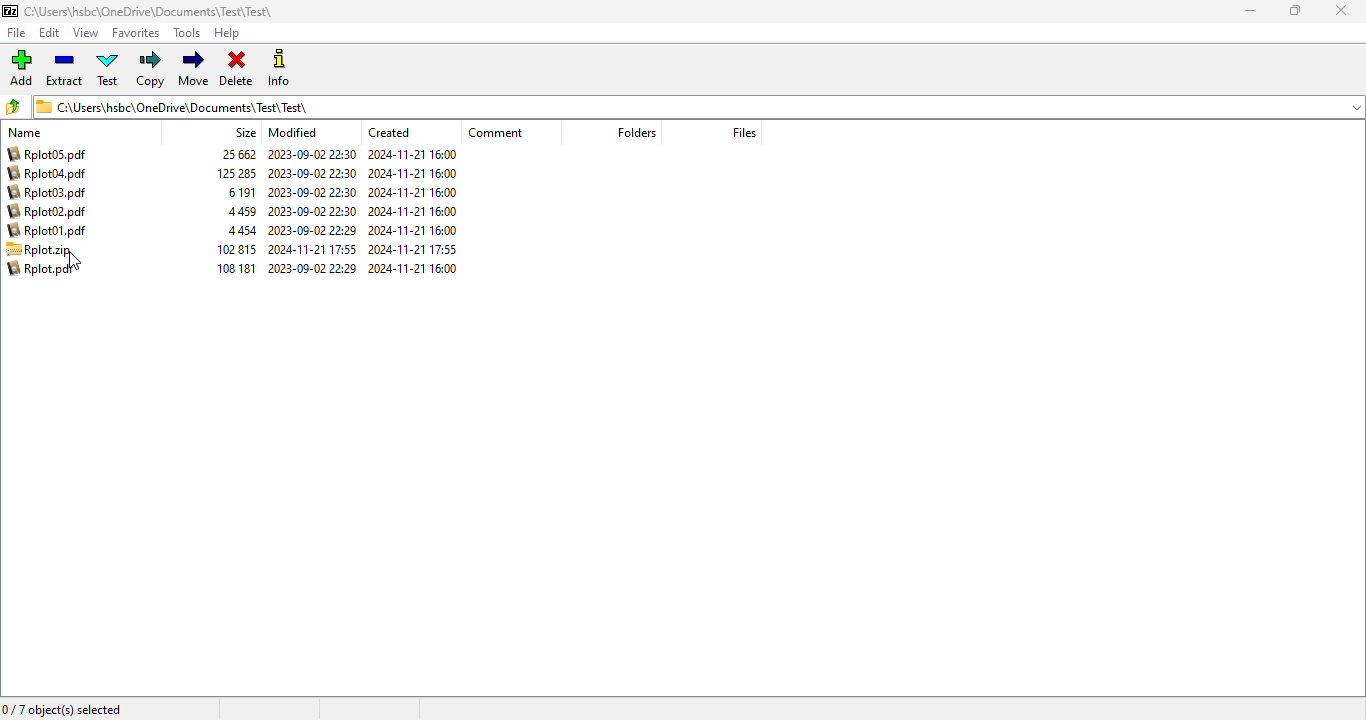  I want to click on browse folders, so click(13, 106).